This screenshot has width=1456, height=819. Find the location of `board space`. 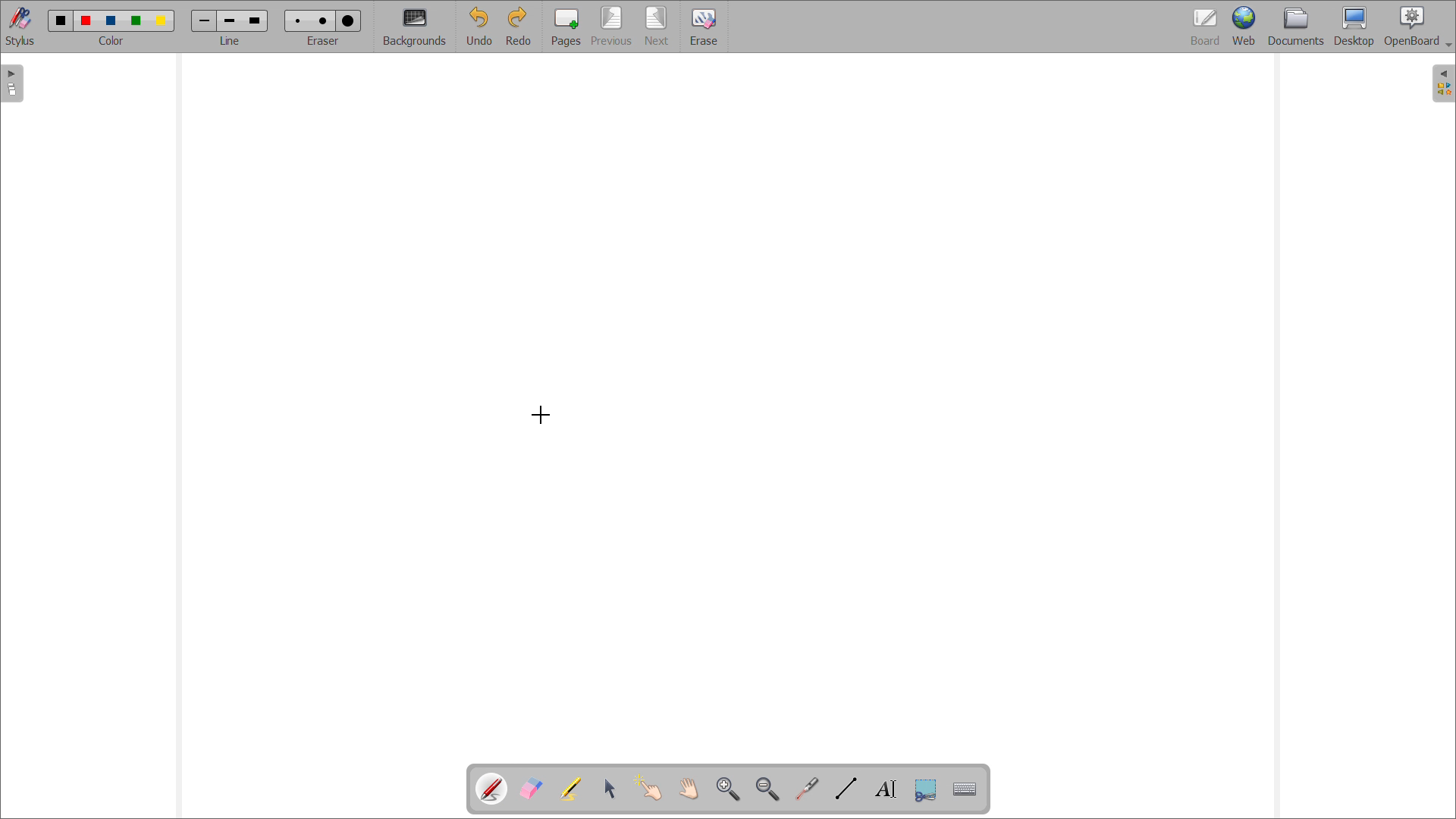

board space is located at coordinates (728, 412).